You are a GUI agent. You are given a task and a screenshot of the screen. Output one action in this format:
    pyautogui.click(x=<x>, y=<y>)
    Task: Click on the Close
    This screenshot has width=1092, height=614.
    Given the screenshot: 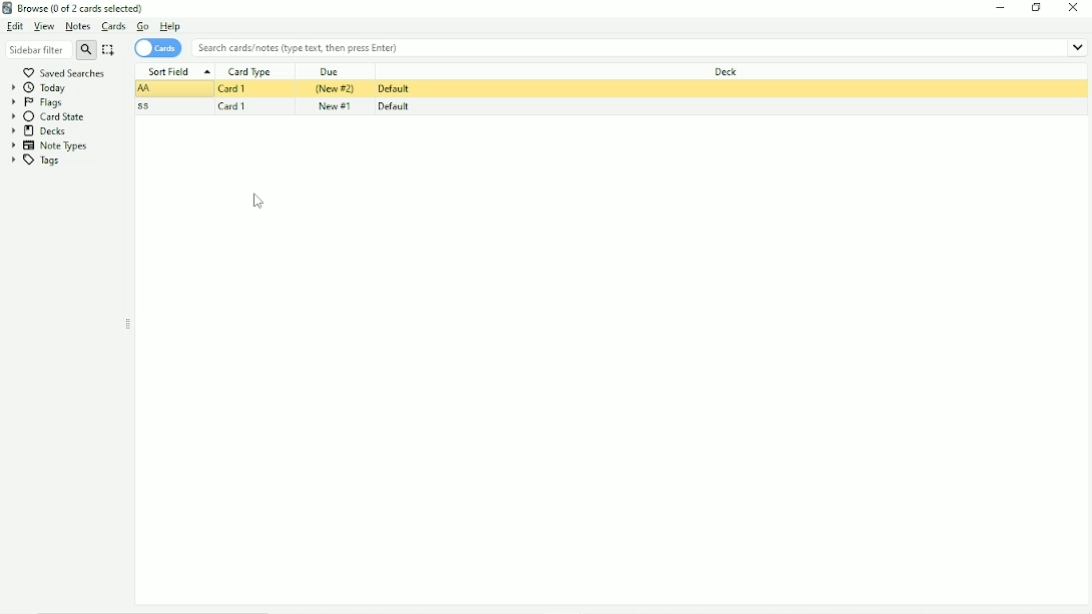 What is the action you would take?
    pyautogui.click(x=1072, y=9)
    